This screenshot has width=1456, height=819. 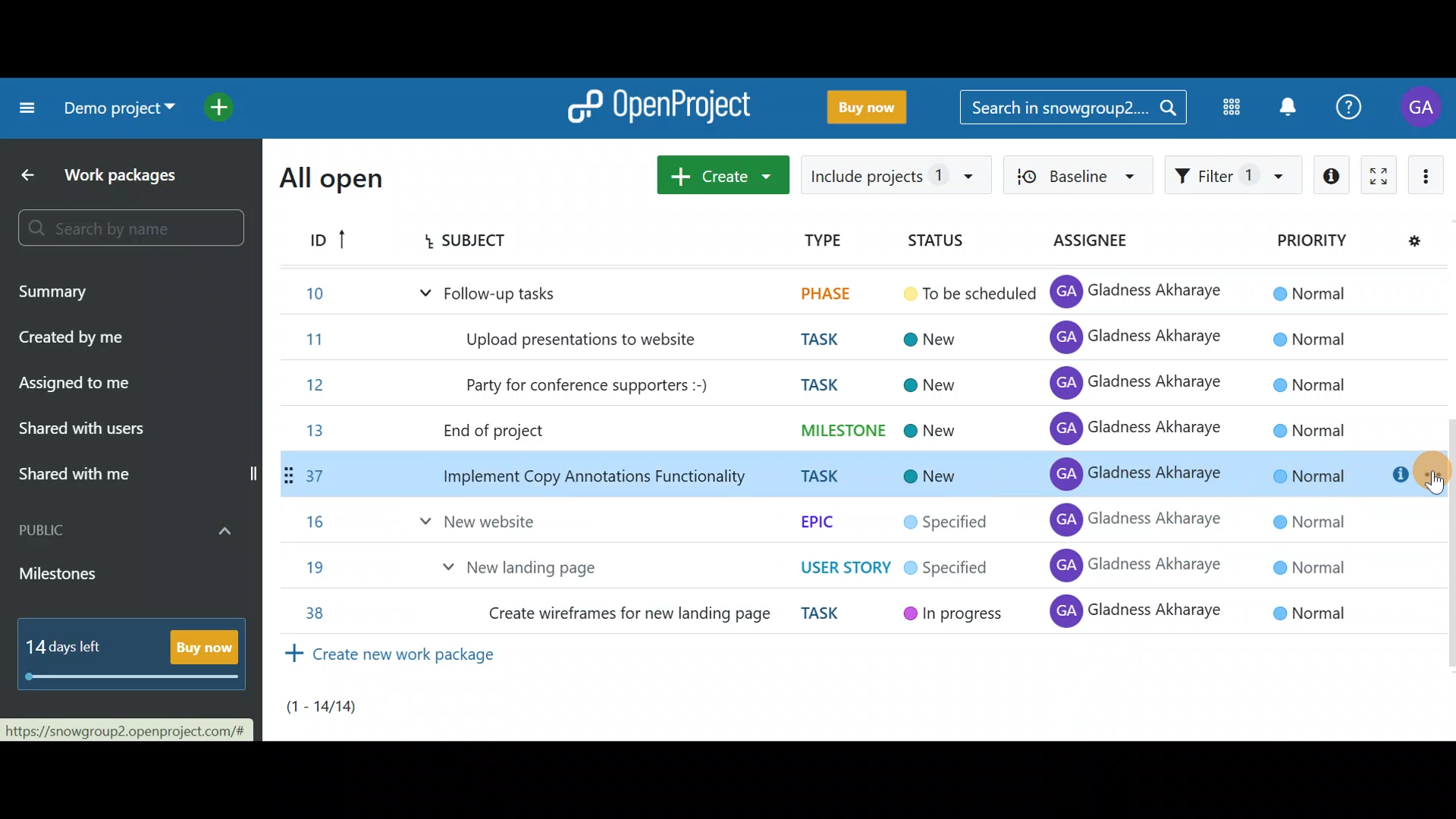 I want to click on Implement Copy Annotations Functionality, so click(x=595, y=475).